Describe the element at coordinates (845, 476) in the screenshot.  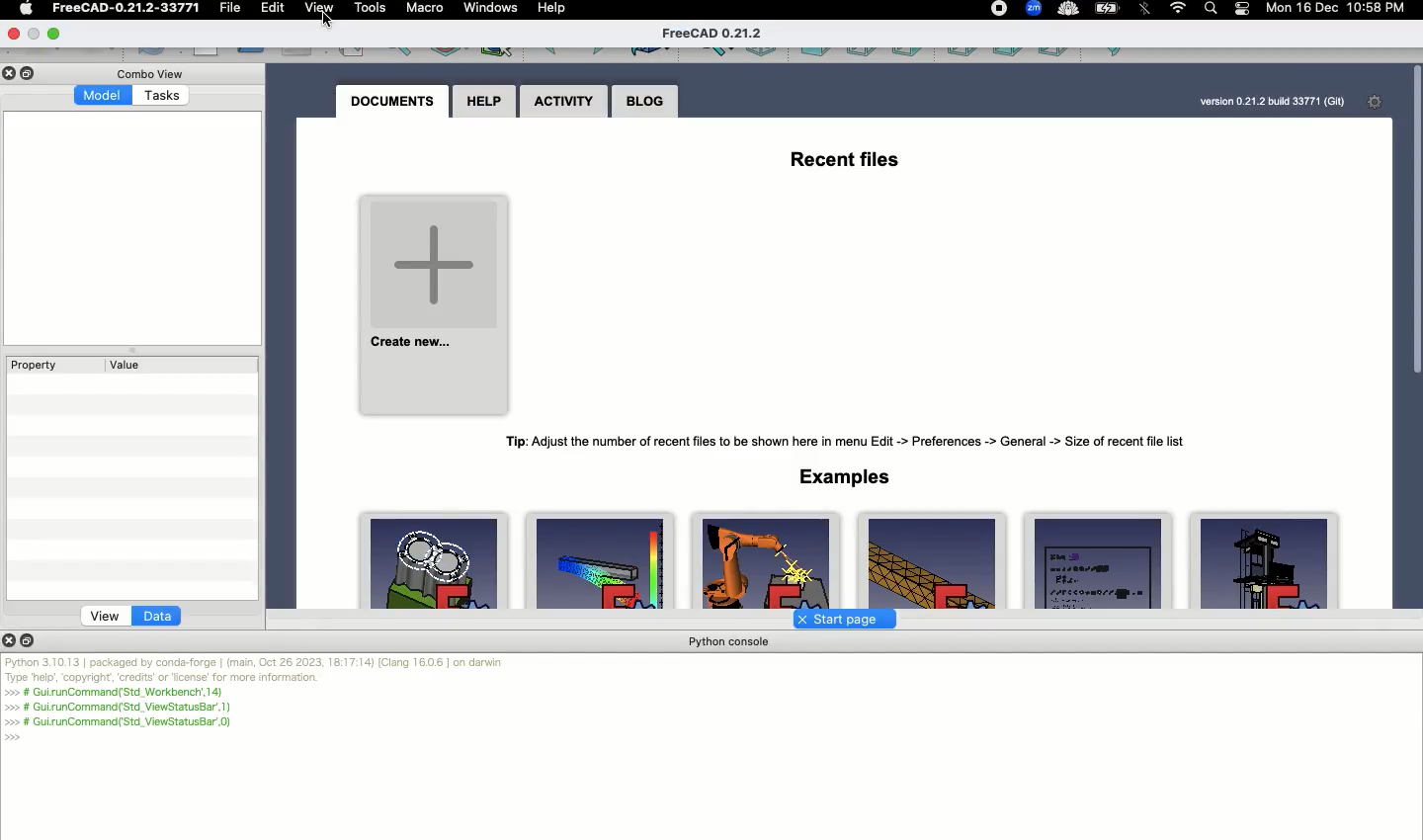
I see `Examples` at that location.